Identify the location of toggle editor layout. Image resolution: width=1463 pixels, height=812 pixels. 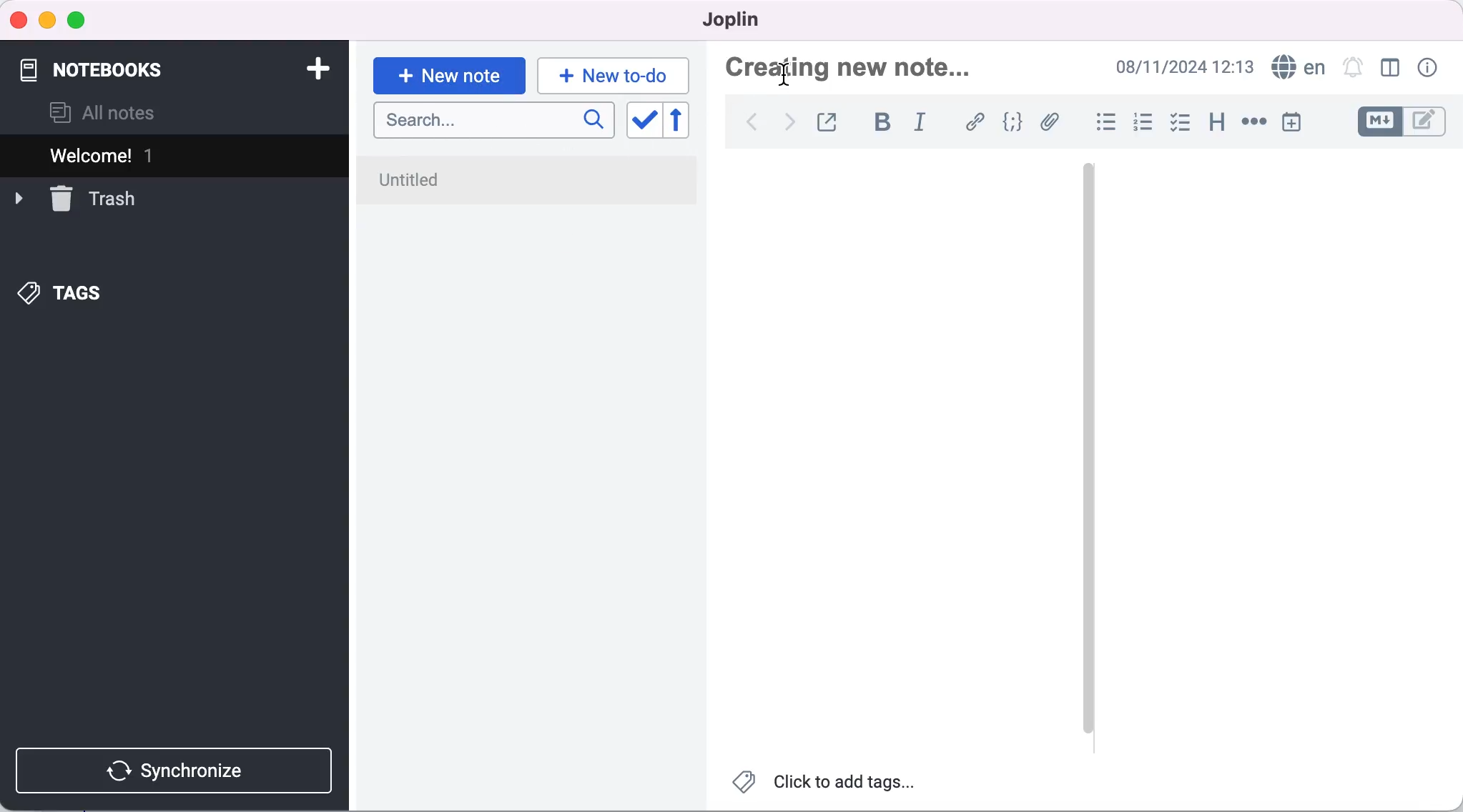
(1391, 68).